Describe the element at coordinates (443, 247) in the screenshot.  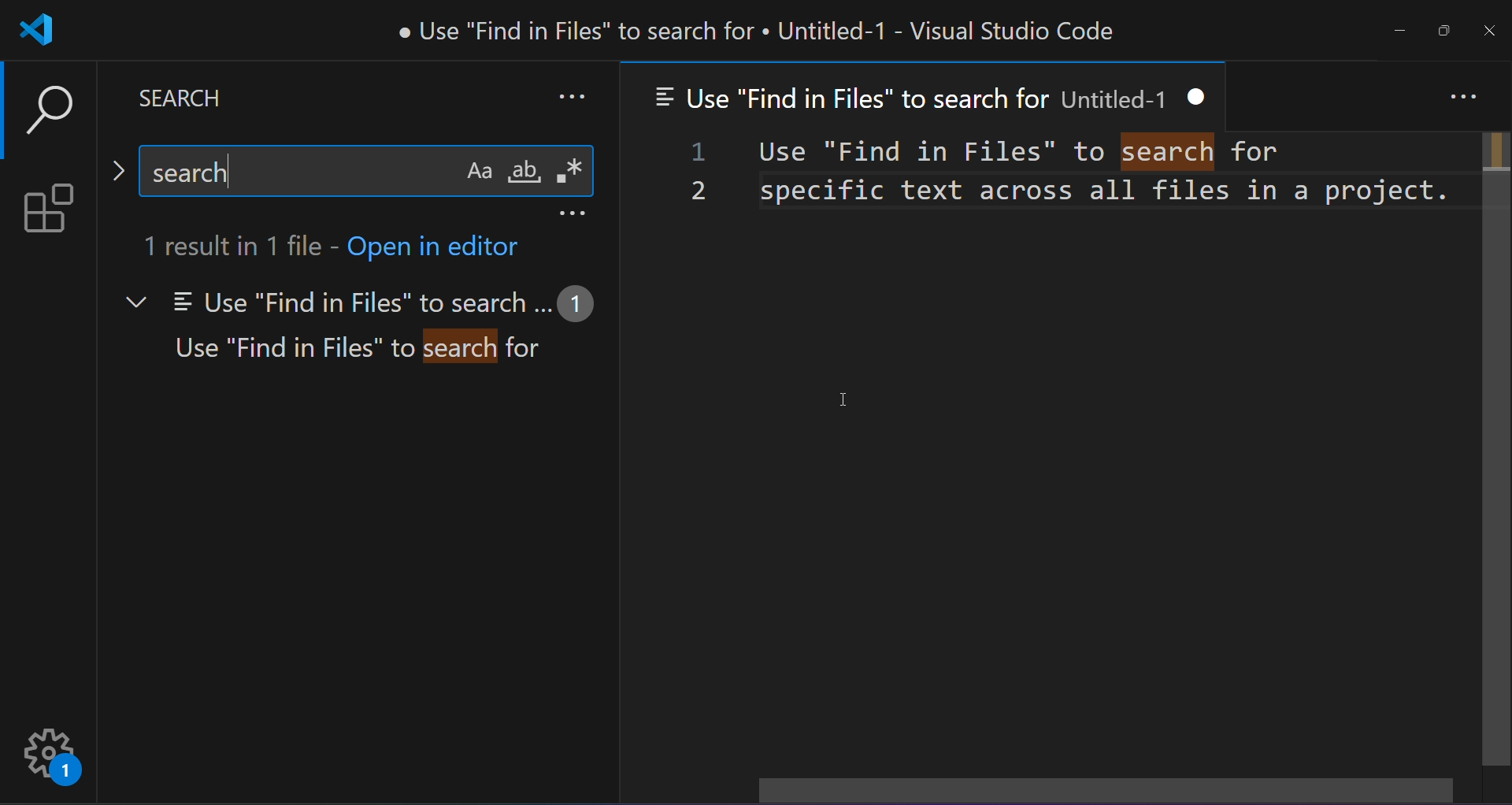
I see `open in editor` at that location.